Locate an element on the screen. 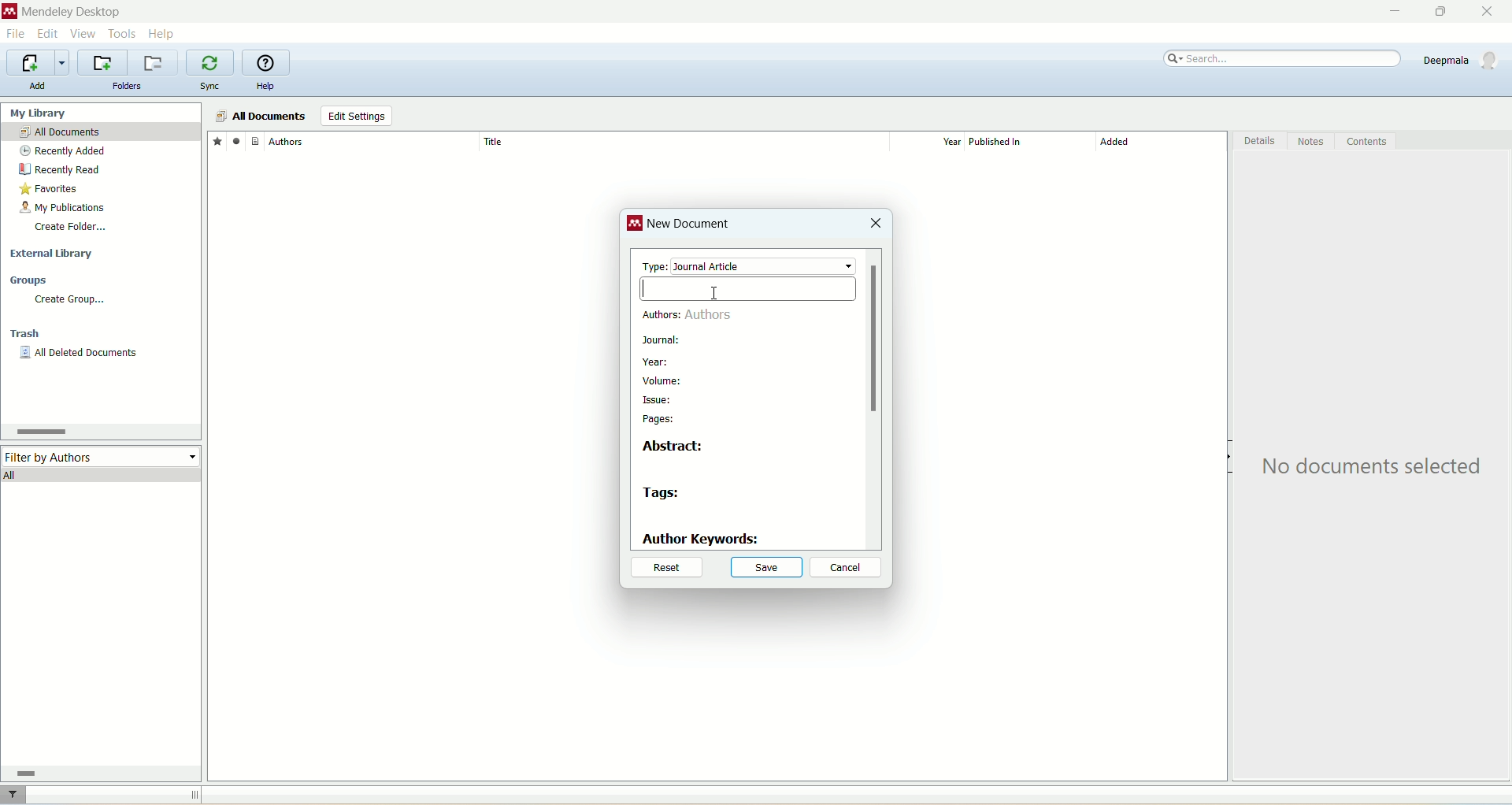  view is located at coordinates (84, 34).